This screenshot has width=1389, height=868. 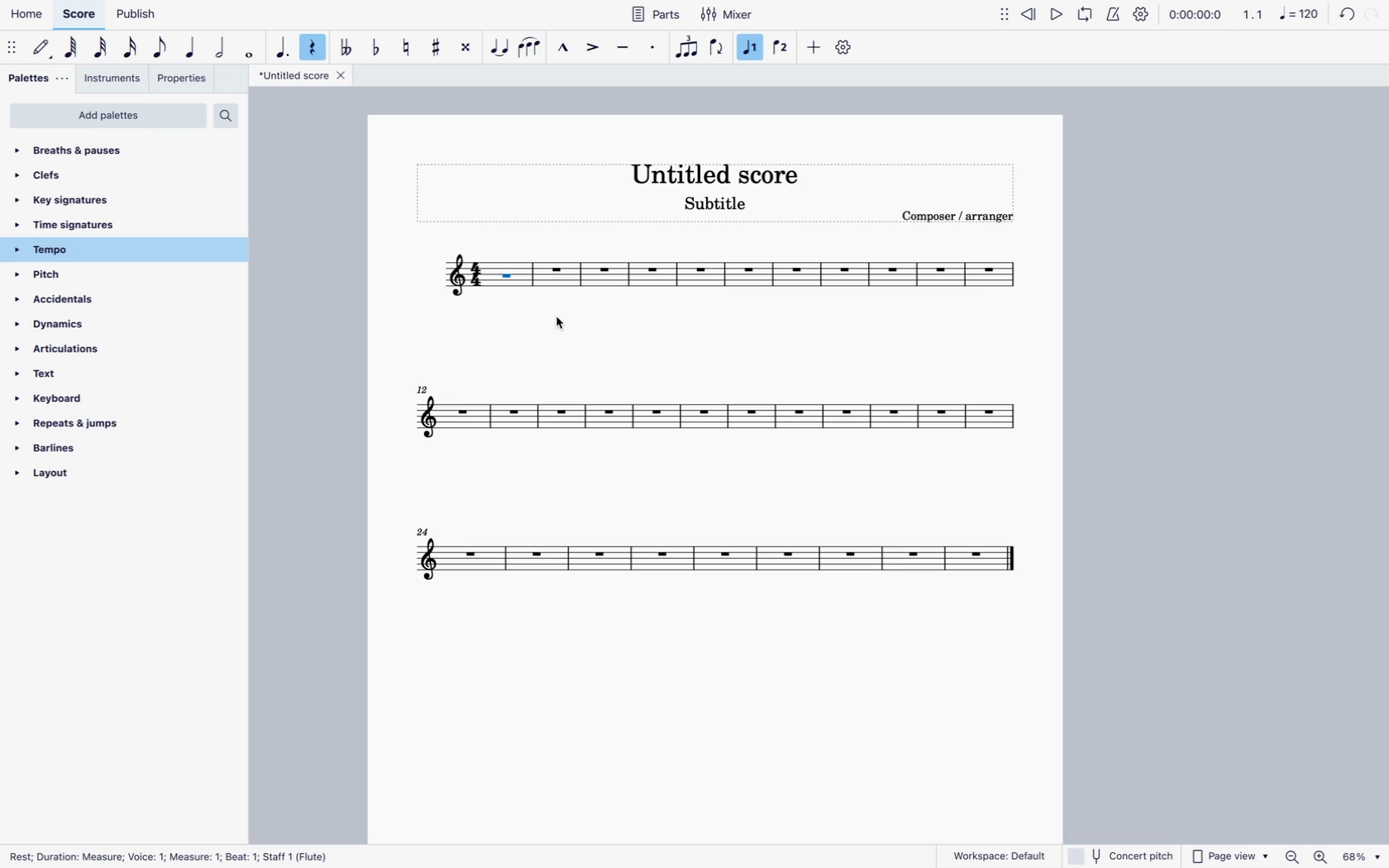 I want to click on workspace, so click(x=999, y=853).